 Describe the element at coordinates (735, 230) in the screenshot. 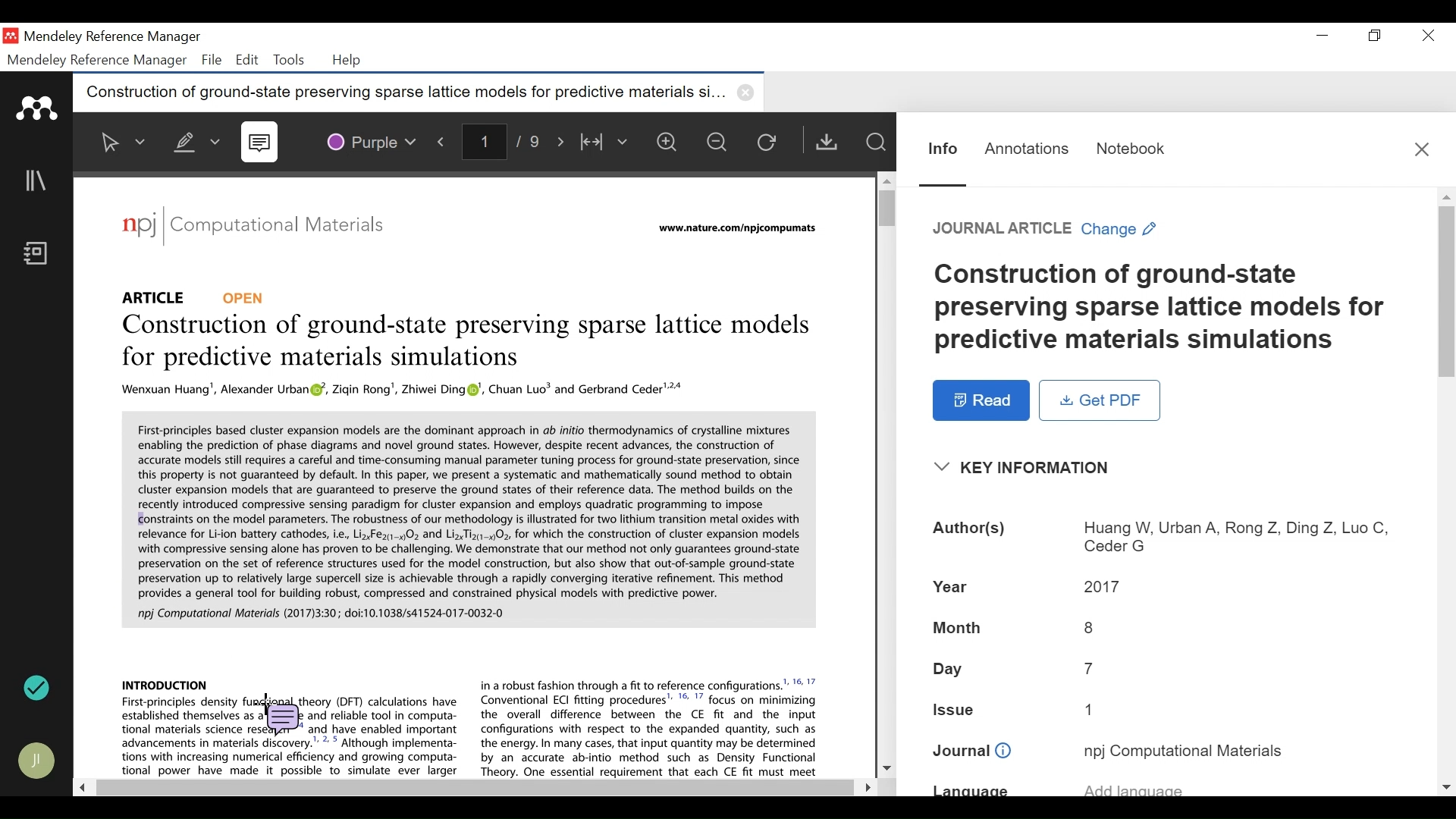

I see `URL` at that location.